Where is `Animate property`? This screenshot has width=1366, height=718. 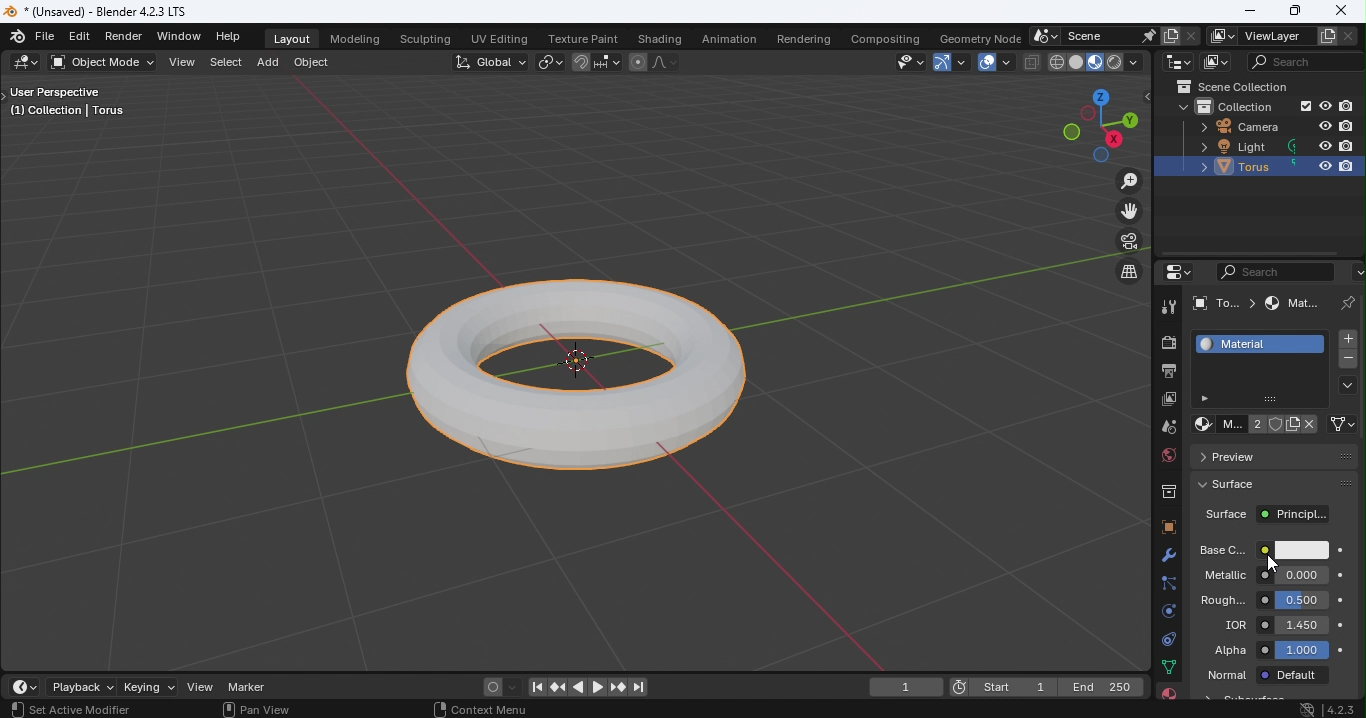
Animate property is located at coordinates (1339, 649).